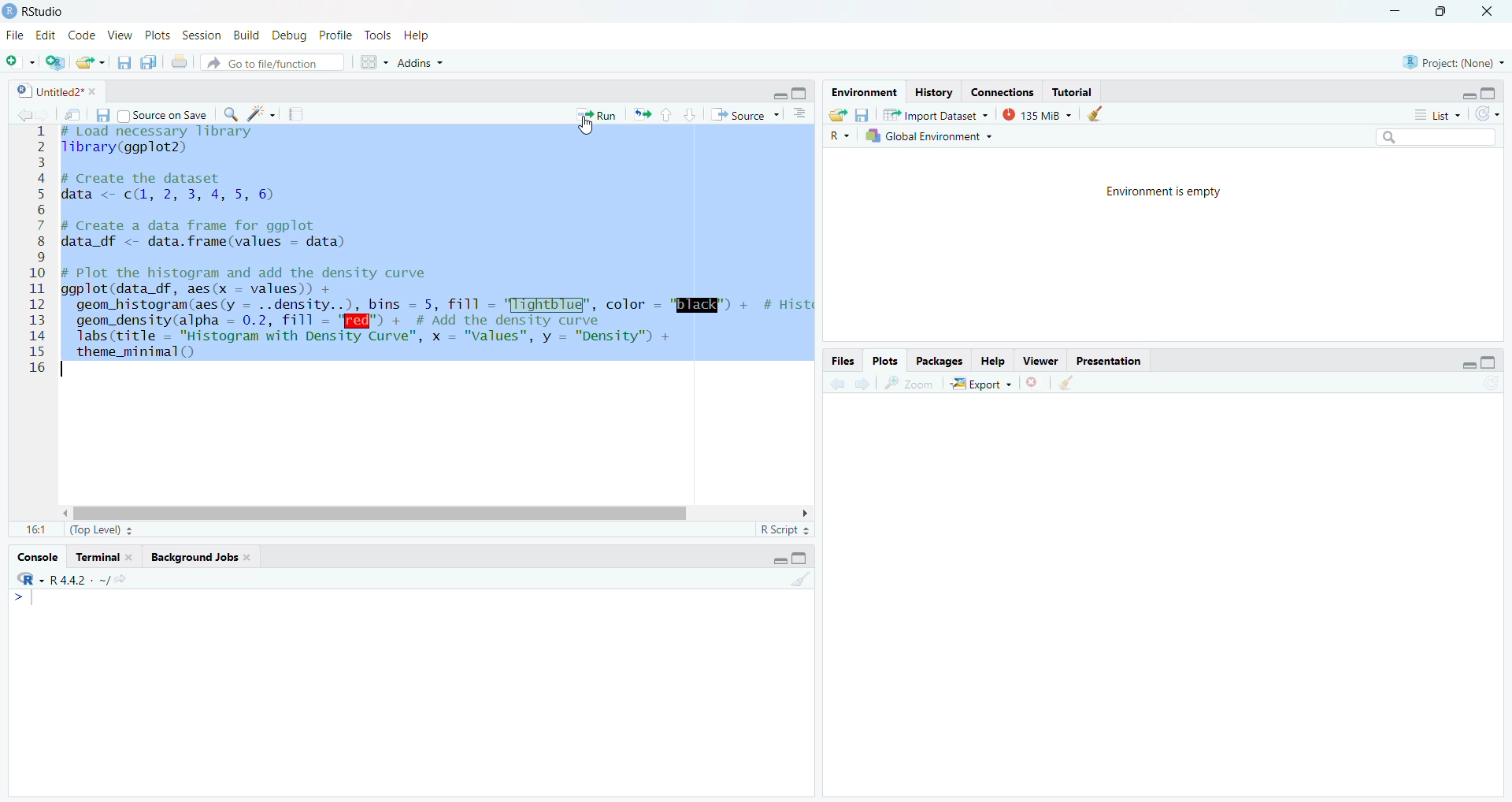 The height and width of the screenshot is (802, 1512). What do you see at coordinates (994, 360) in the screenshot?
I see `Help` at bounding box center [994, 360].